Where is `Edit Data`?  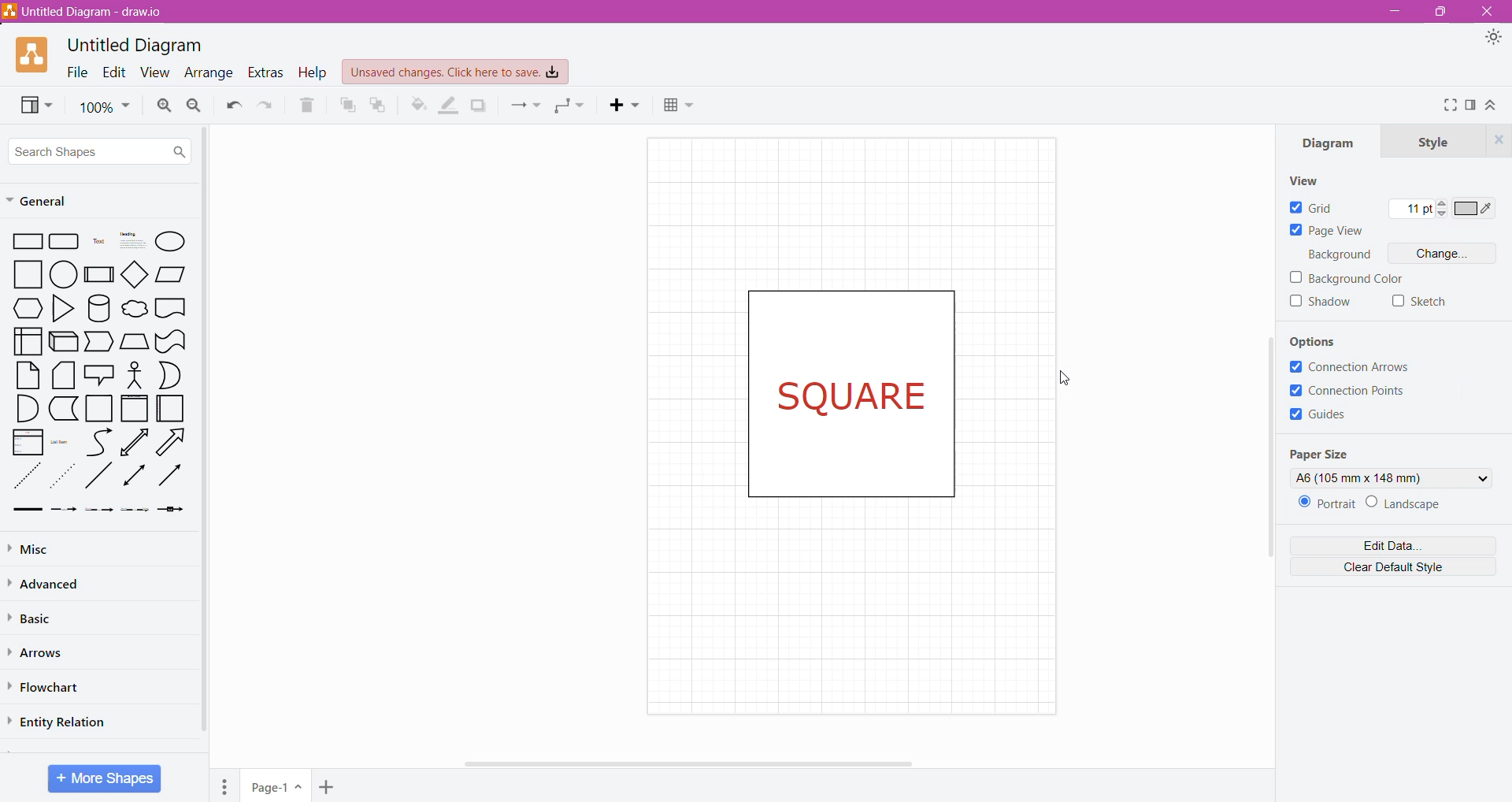
Edit Data is located at coordinates (1395, 542).